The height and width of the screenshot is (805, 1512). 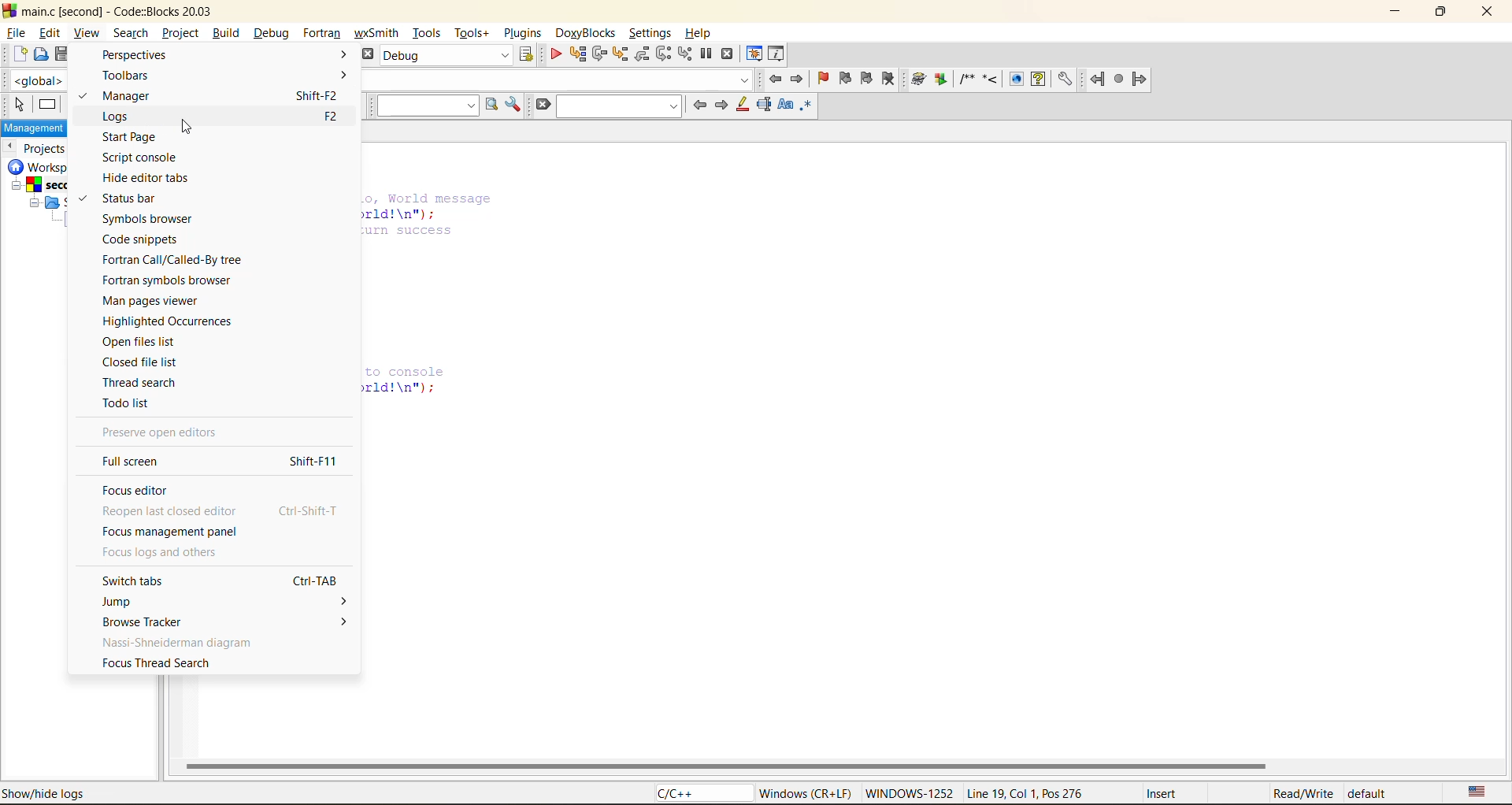 I want to click on fortran, so click(x=322, y=33).